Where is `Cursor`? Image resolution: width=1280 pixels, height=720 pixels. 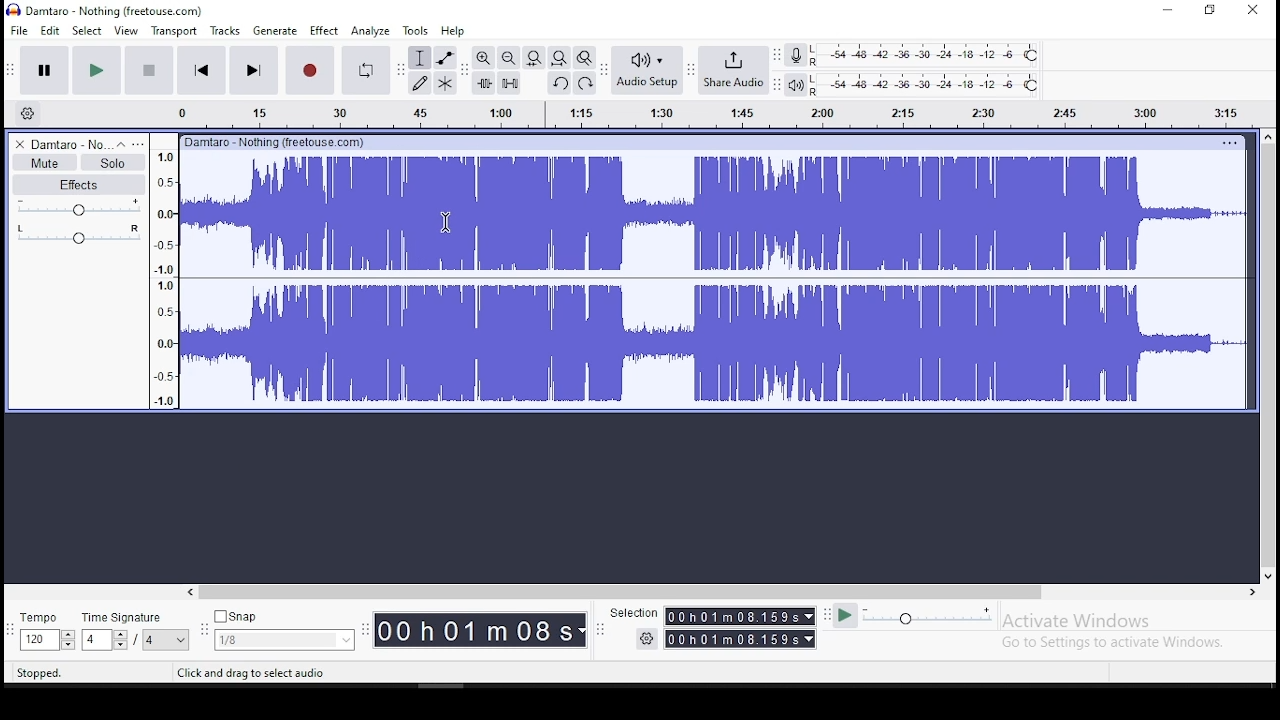
Cursor is located at coordinates (446, 219).